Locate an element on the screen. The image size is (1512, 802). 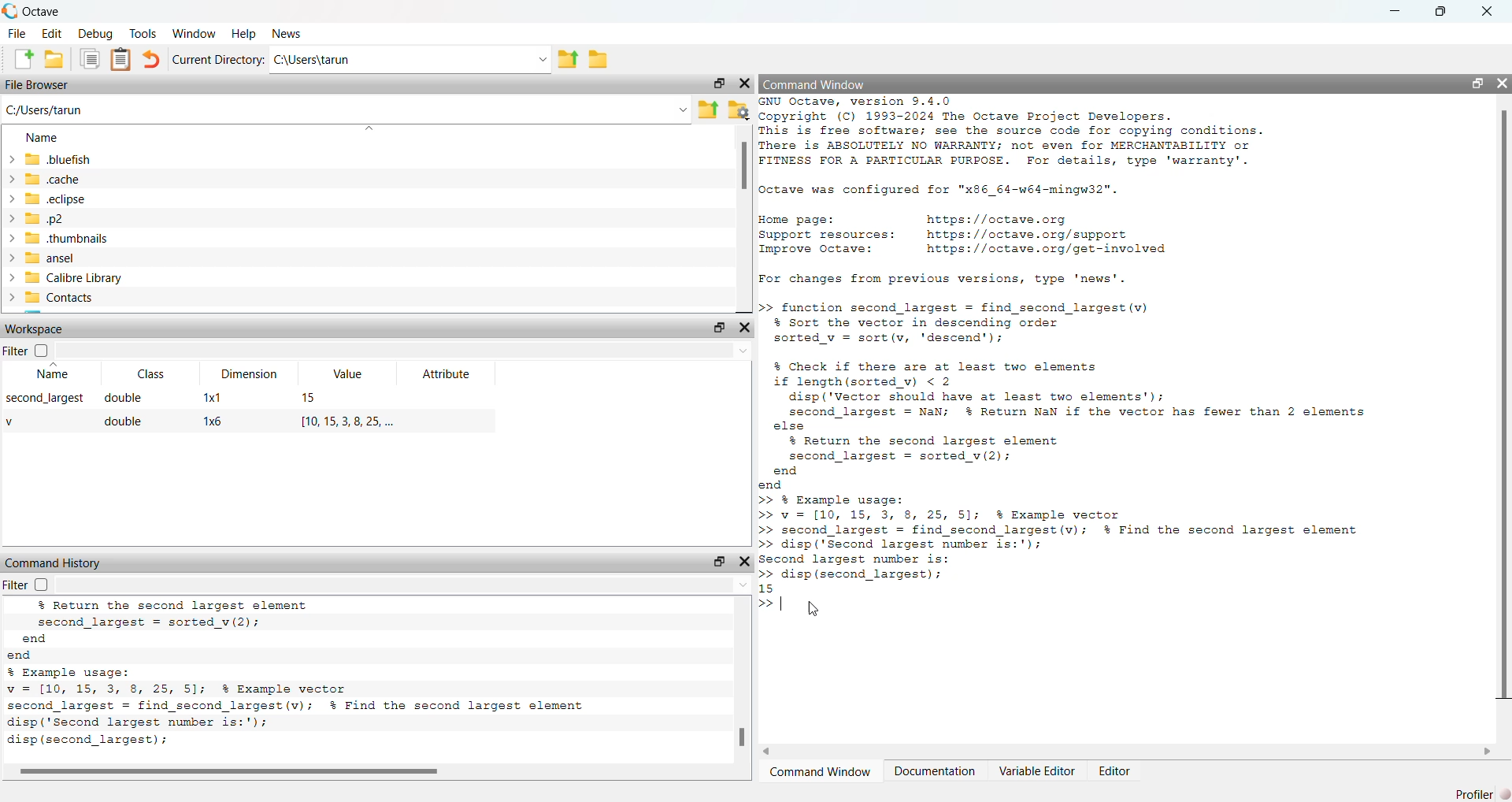
command window is located at coordinates (821, 83).